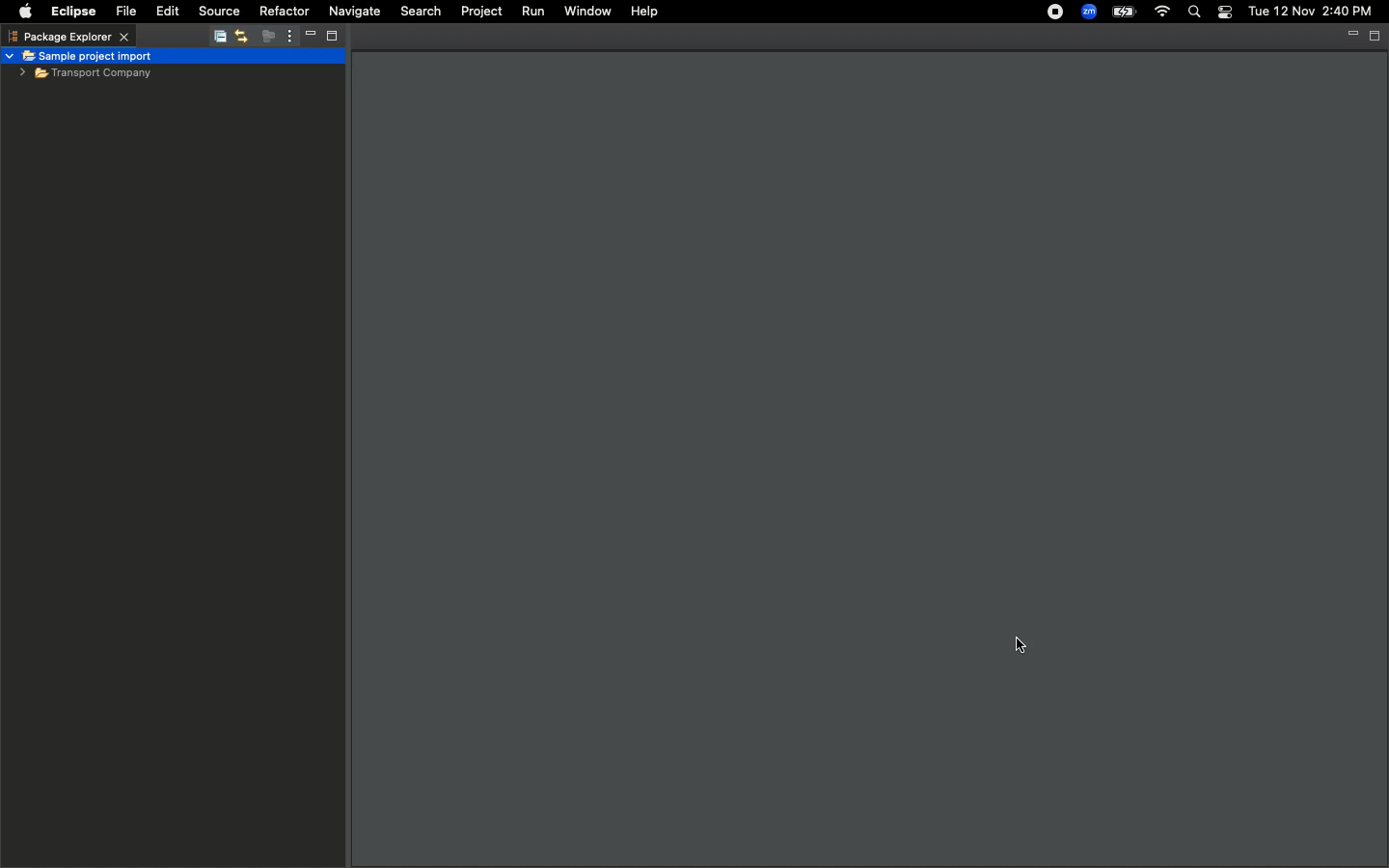 Image resolution: width=1389 pixels, height=868 pixels. Describe the element at coordinates (166, 12) in the screenshot. I see `Edit` at that location.